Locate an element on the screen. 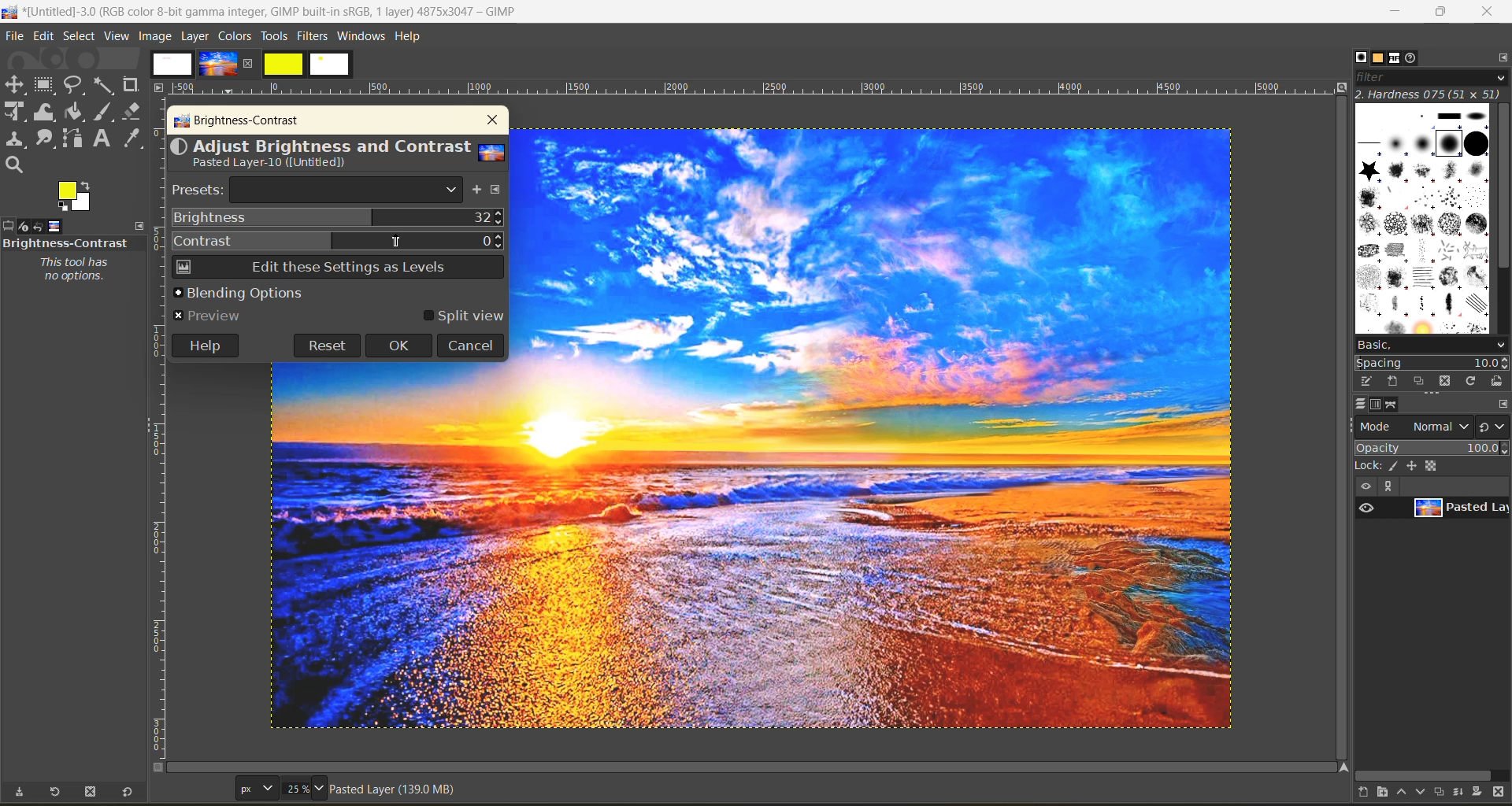 This screenshot has width=1512, height=806. restore tool preset is located at coordinates (52, 793).